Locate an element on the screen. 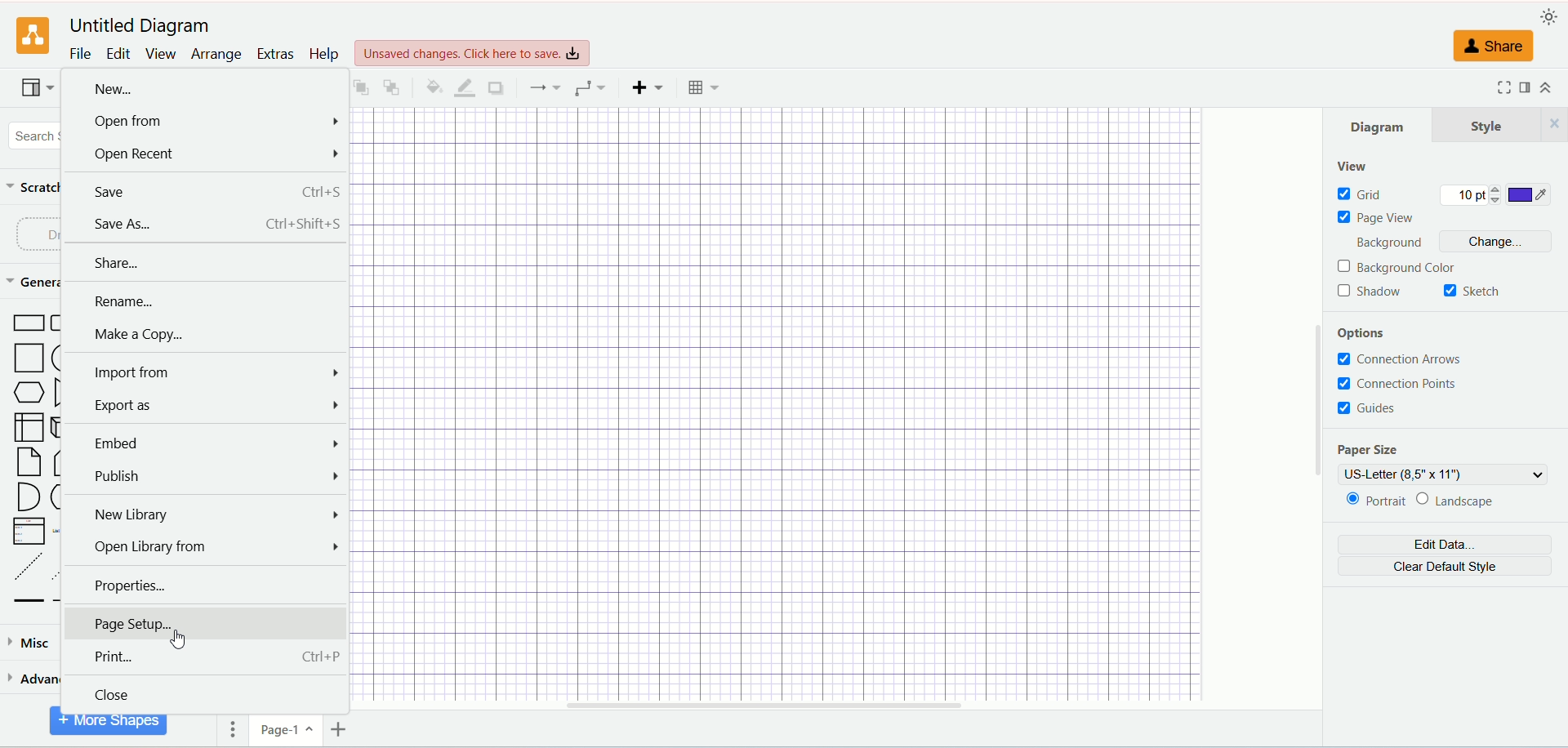 This screenshot has width=1568, height=748. open library from is located at coordinates (203, 550).